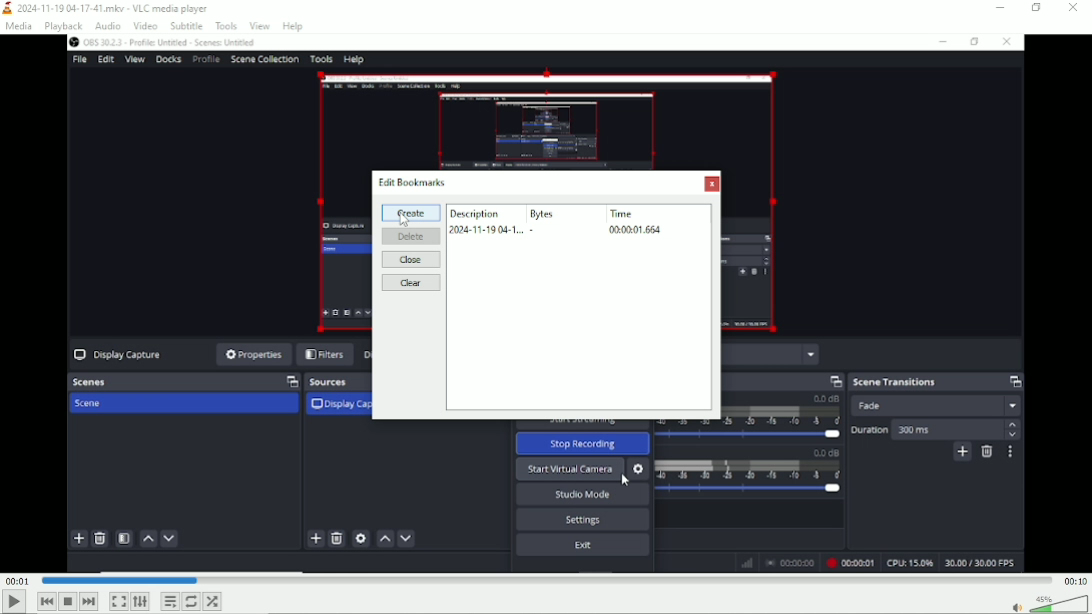  I want to click on edit bookmarks, so click(414, 180).